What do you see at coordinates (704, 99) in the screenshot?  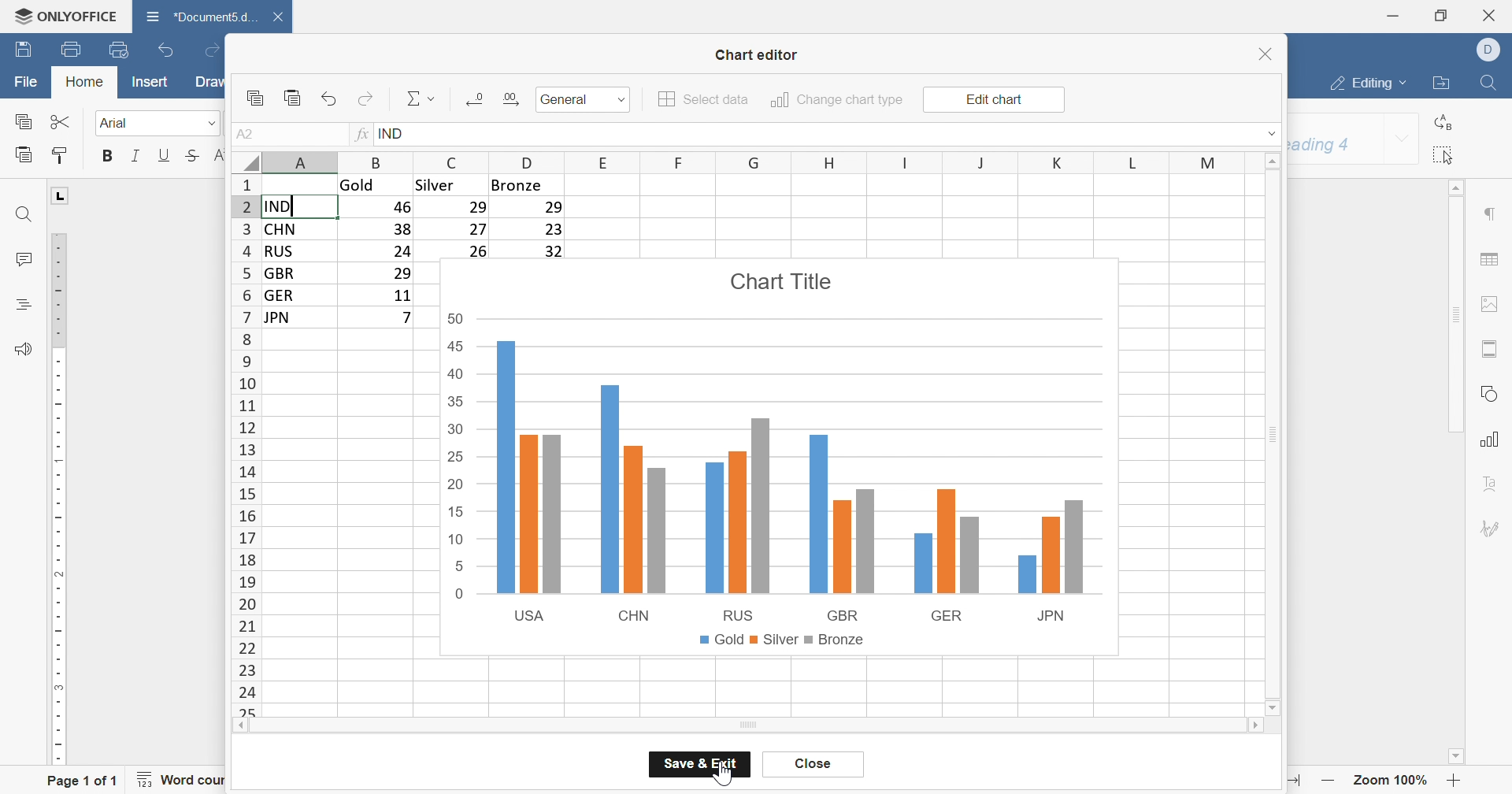 I see `select data` at bounding box center [704, 99].